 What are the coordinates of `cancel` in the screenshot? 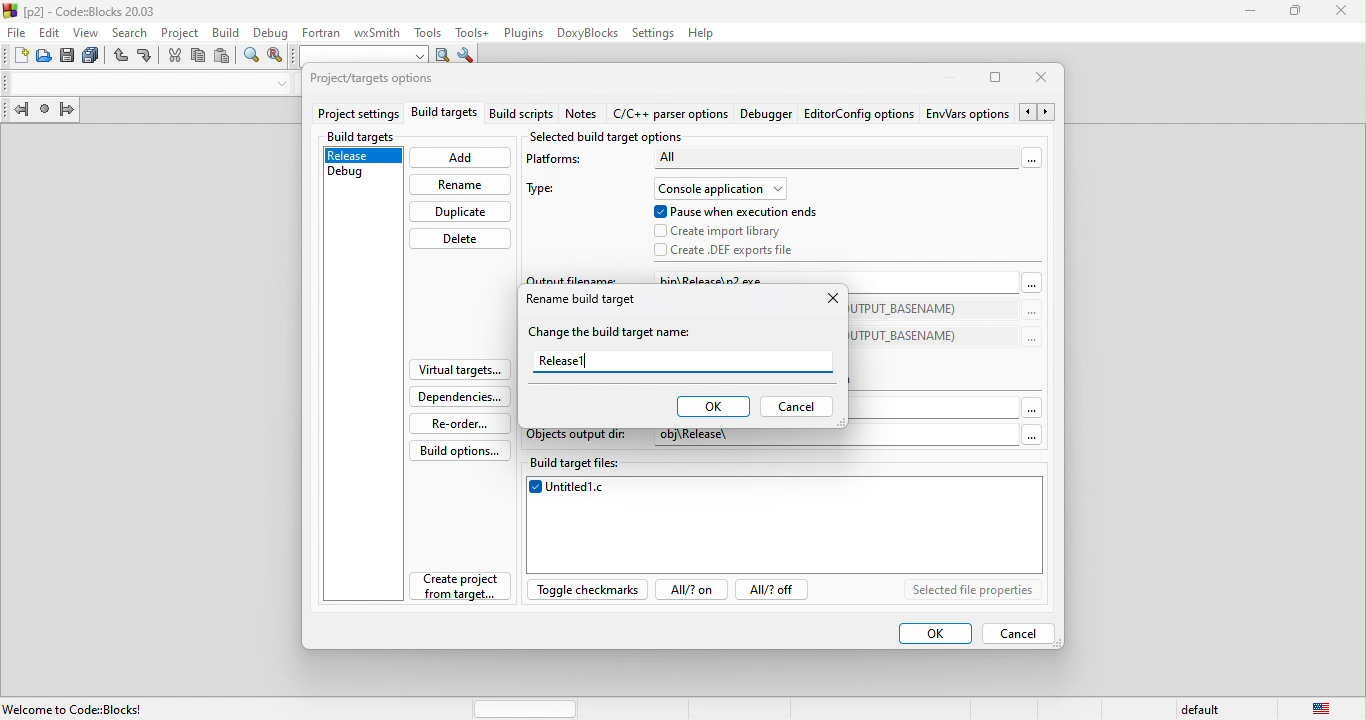 It's located at (796, 407).